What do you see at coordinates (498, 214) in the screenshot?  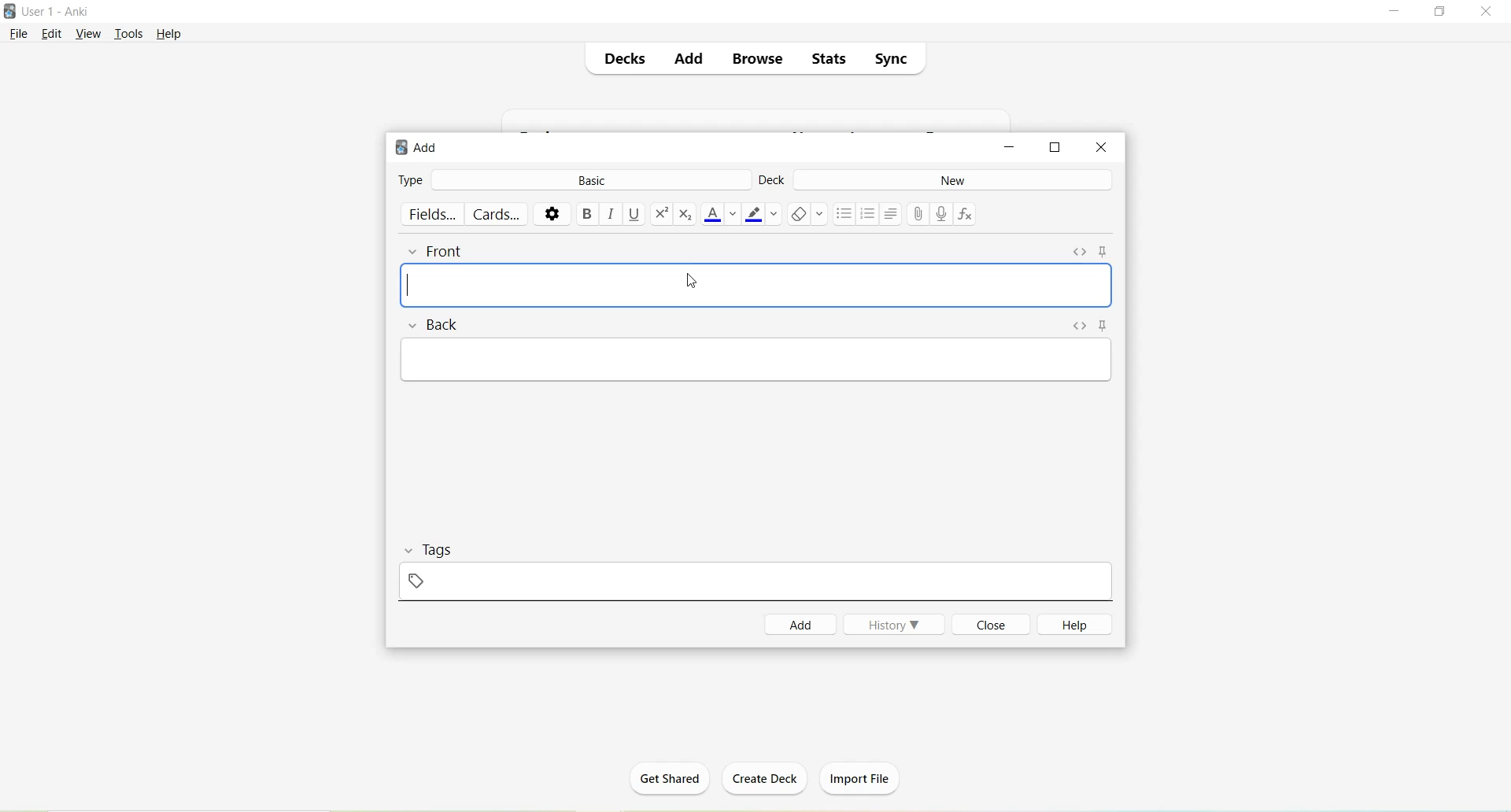 I see `Cards..` at bounding box center [498, 214].